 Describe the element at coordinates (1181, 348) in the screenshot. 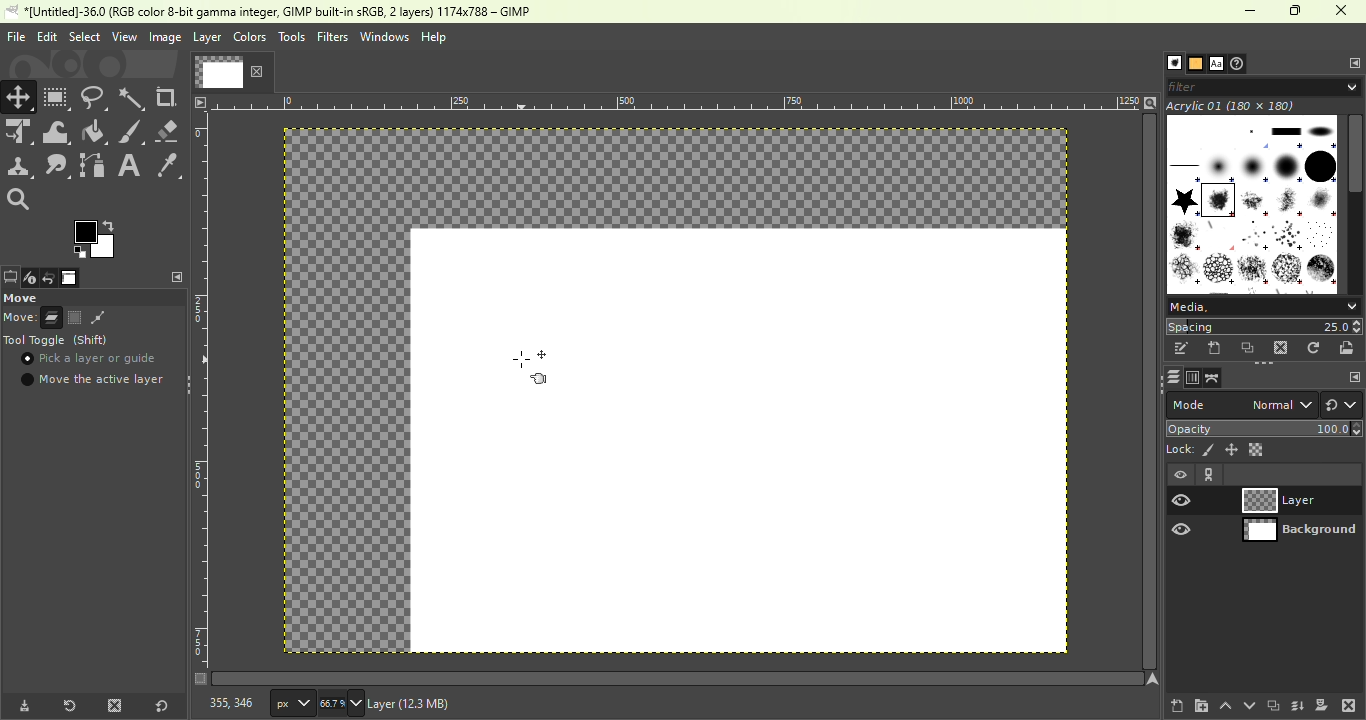

I see `Edit this brush` at that location.